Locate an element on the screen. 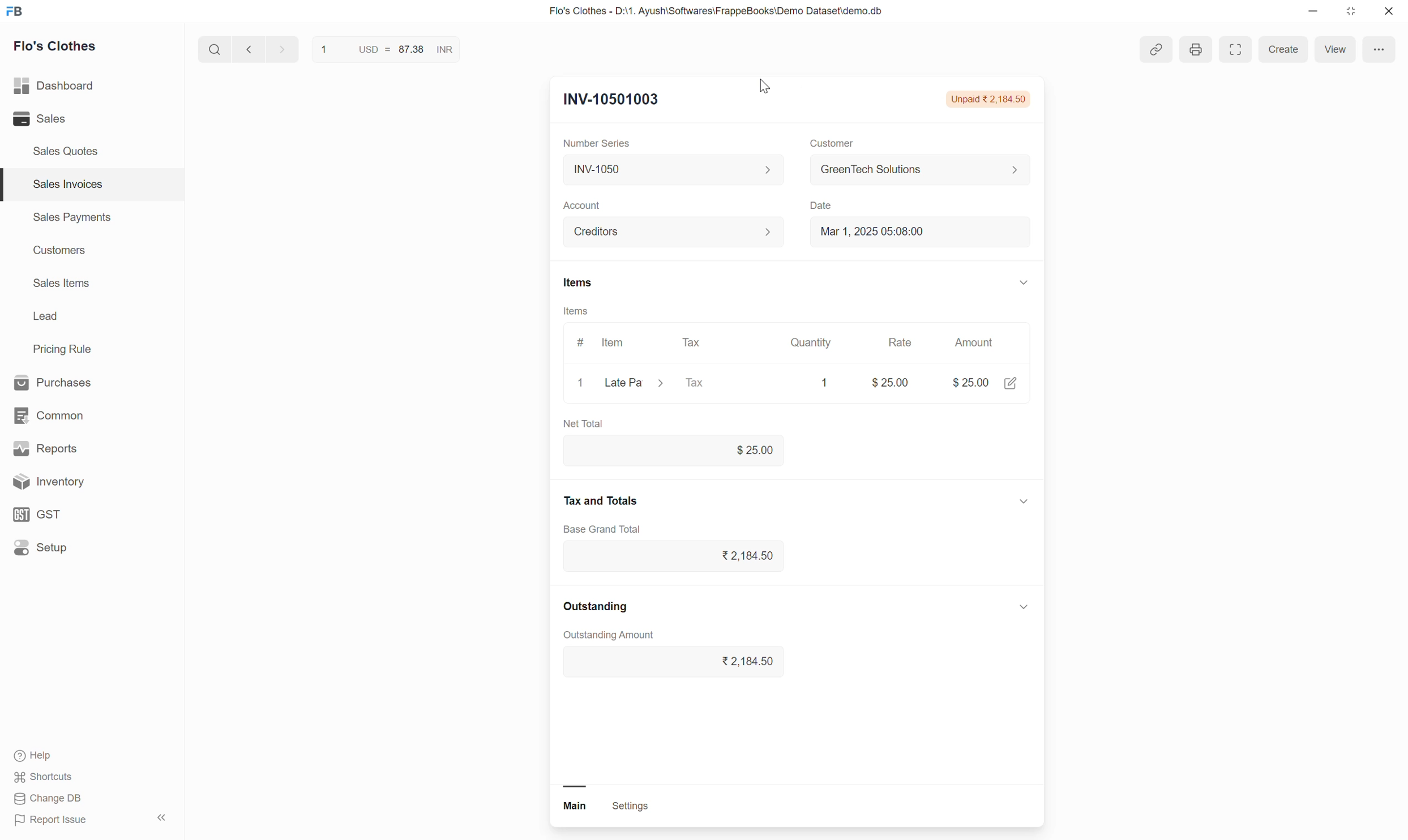 This screenshot has height=840, width=1408. main is located at coordinates (571, 807).